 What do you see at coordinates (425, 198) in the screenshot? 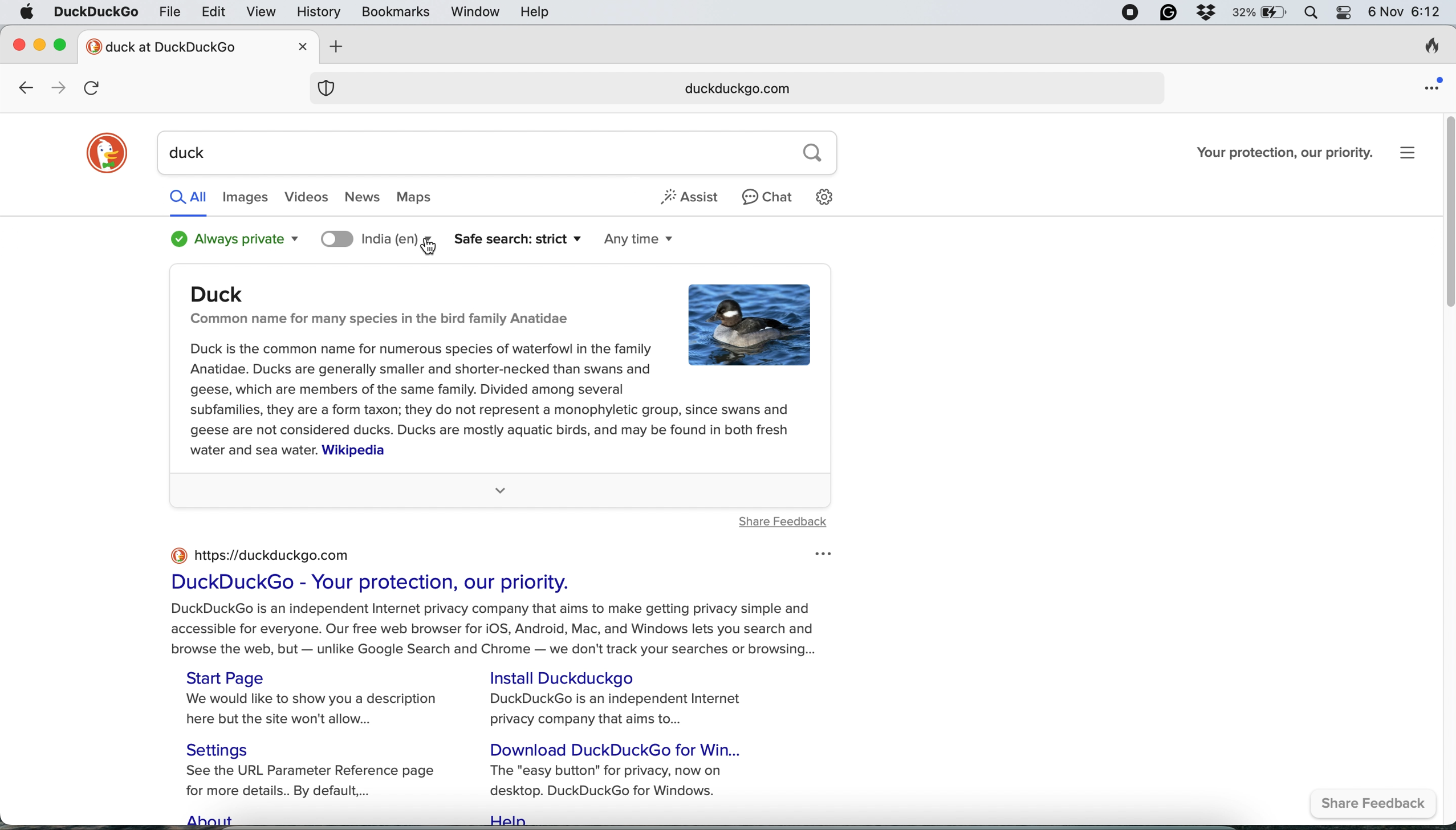
I see `maps` at bounding box center [425, 198].